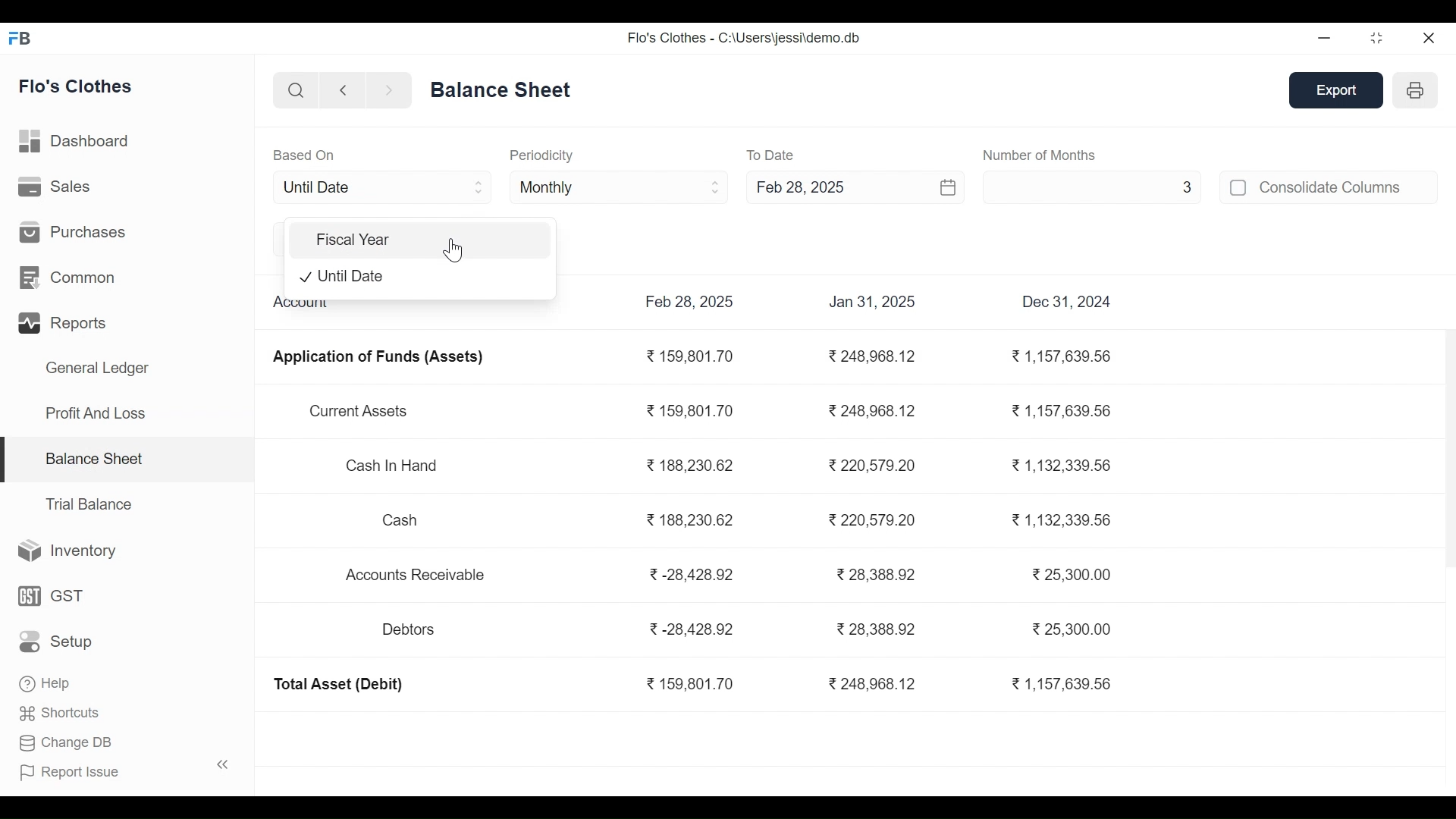 Image resolution: width=1456 pixels, height=819 pixels. Describe the element at coordinates (57, 187) in the screenshot. I see `sales` at that location.